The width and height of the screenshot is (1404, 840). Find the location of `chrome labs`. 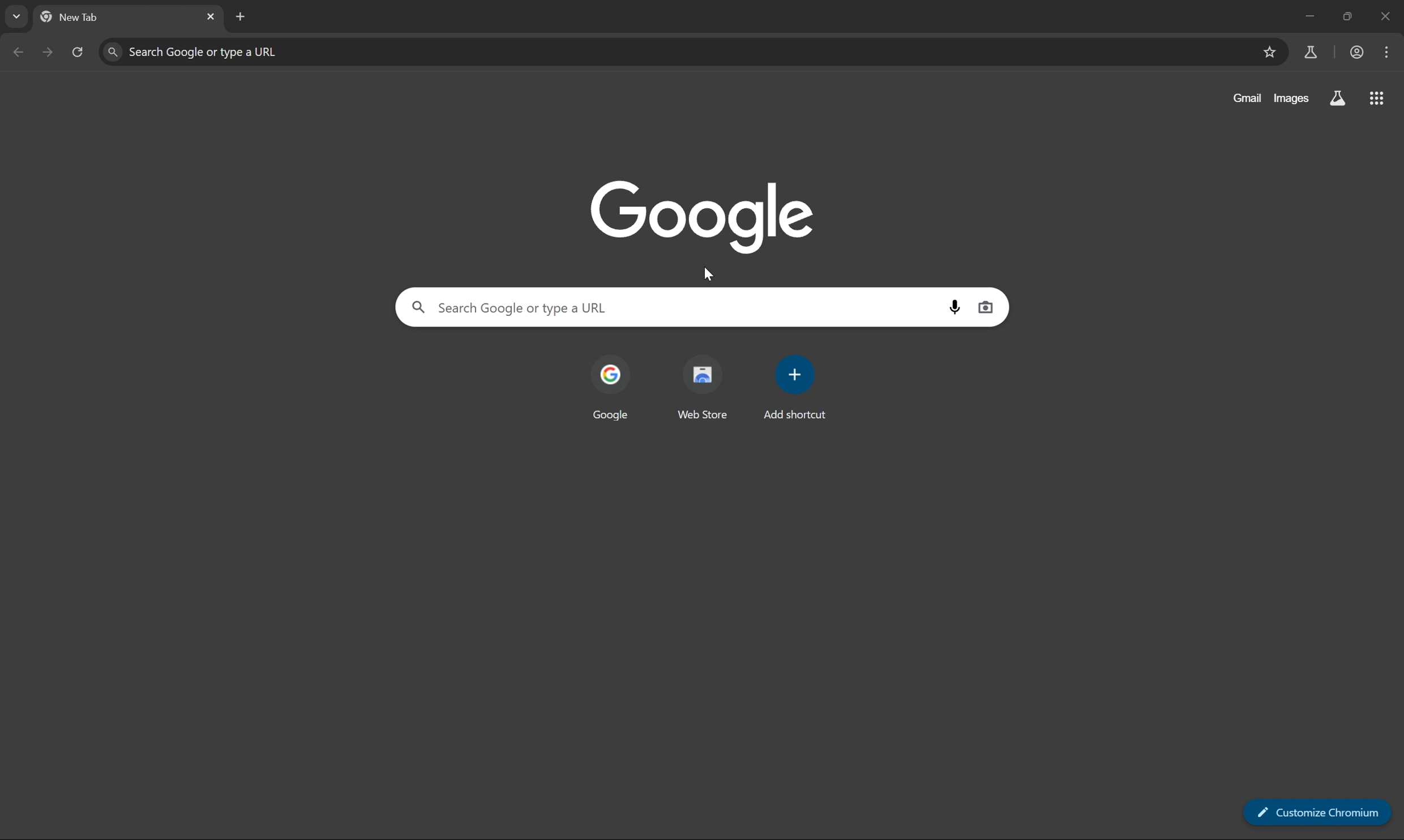

chrome labs is located at coordinates (1311, 50).